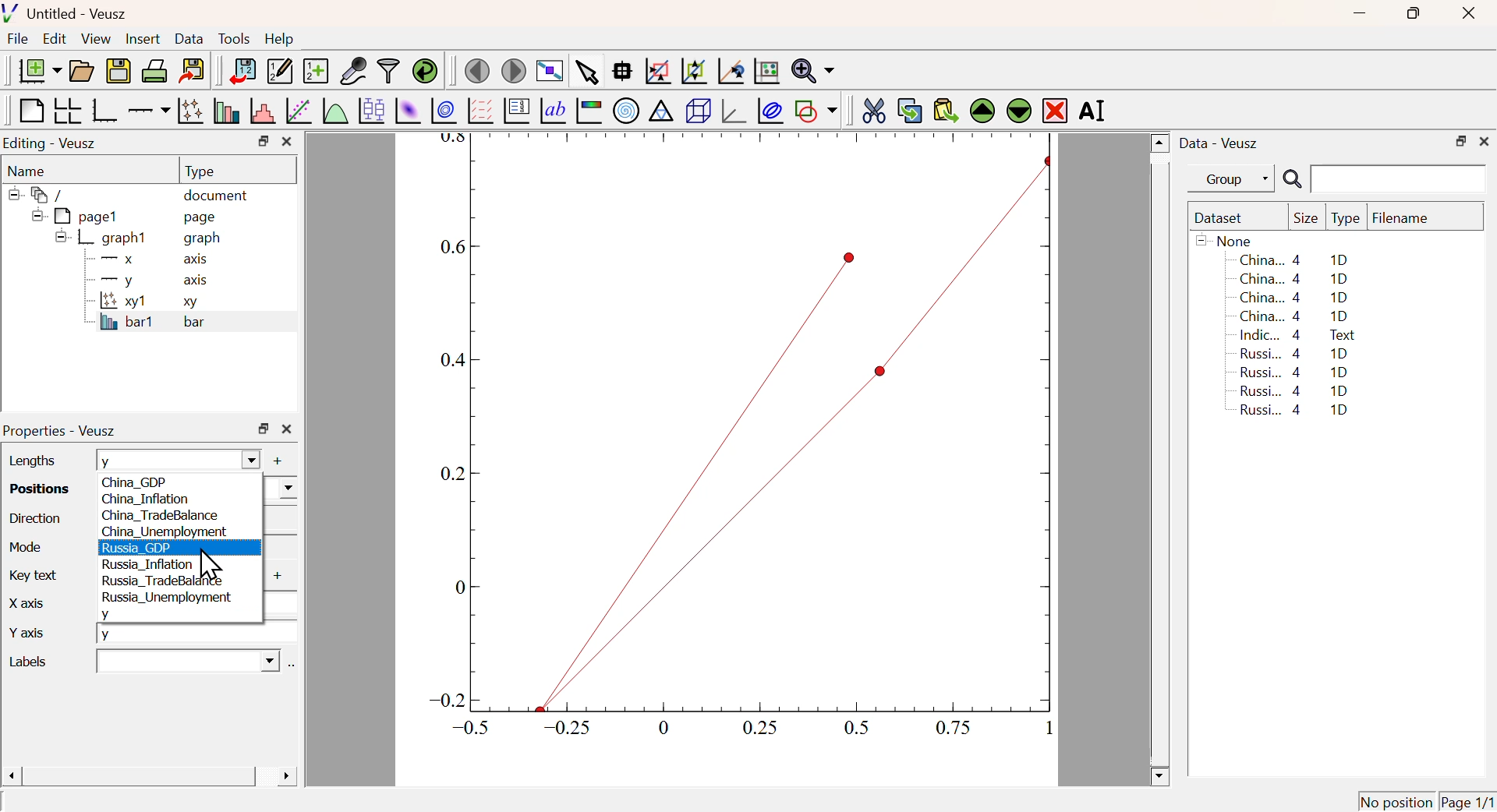 This screenshot has height=812, width=1497. What do you see at coordinates (515, 71) in the screenshot?
I see `Move to next page` at bounding box center [515, 71].